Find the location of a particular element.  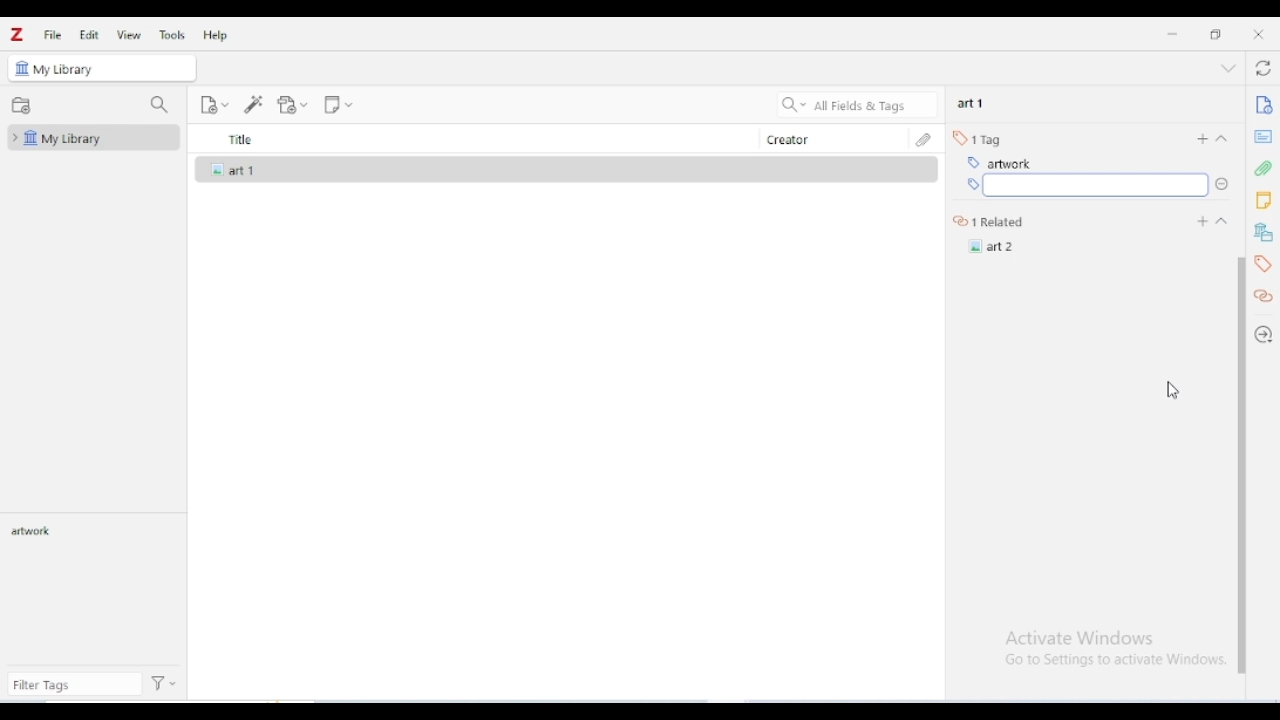

filter collections is located at coordinates (160, 105).